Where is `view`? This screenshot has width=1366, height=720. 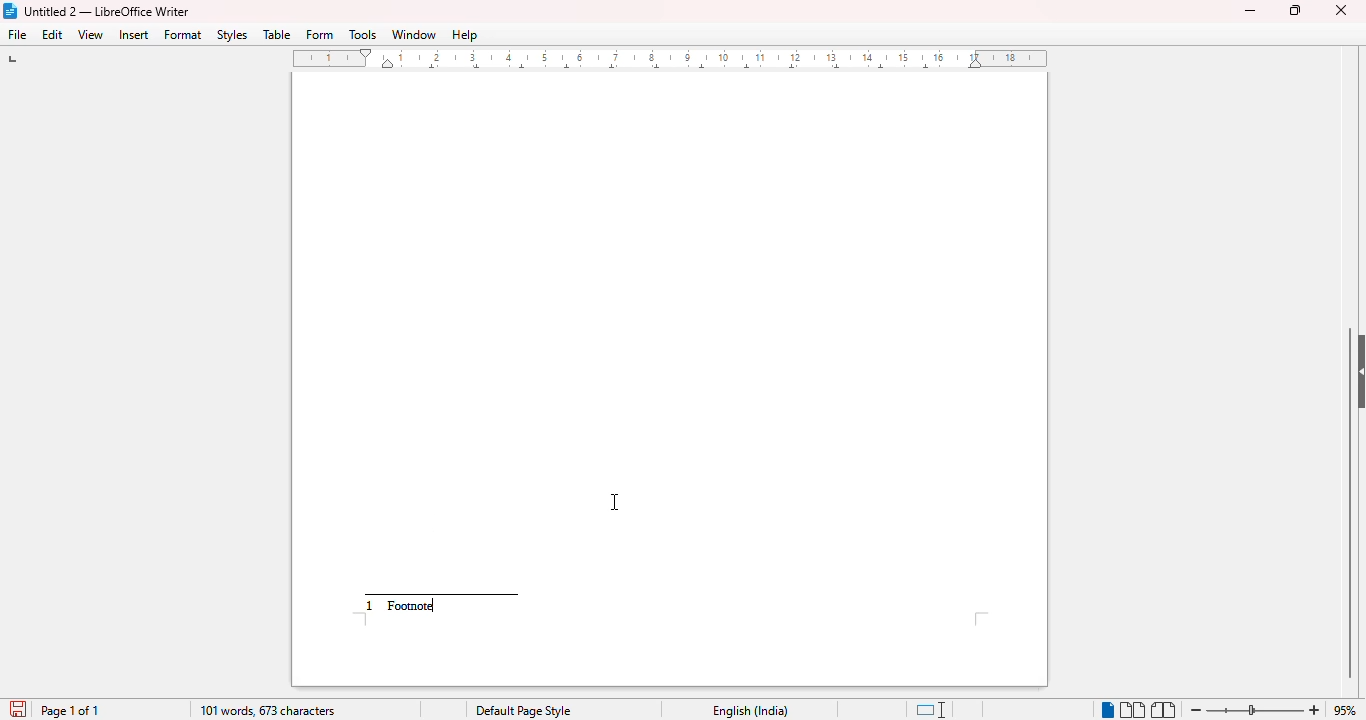
view is located at coordinates (92, 35).